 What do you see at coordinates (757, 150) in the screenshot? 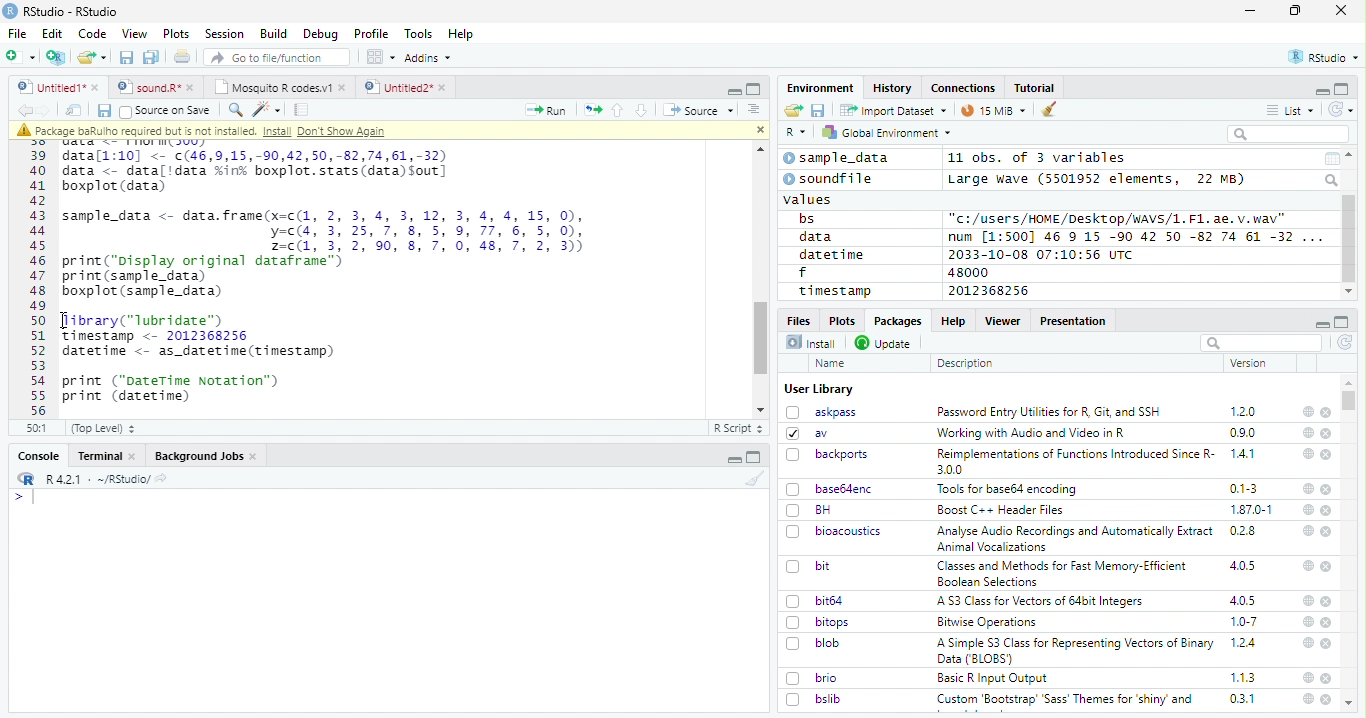
I see `scroll up` at bounding box center [757, 150].